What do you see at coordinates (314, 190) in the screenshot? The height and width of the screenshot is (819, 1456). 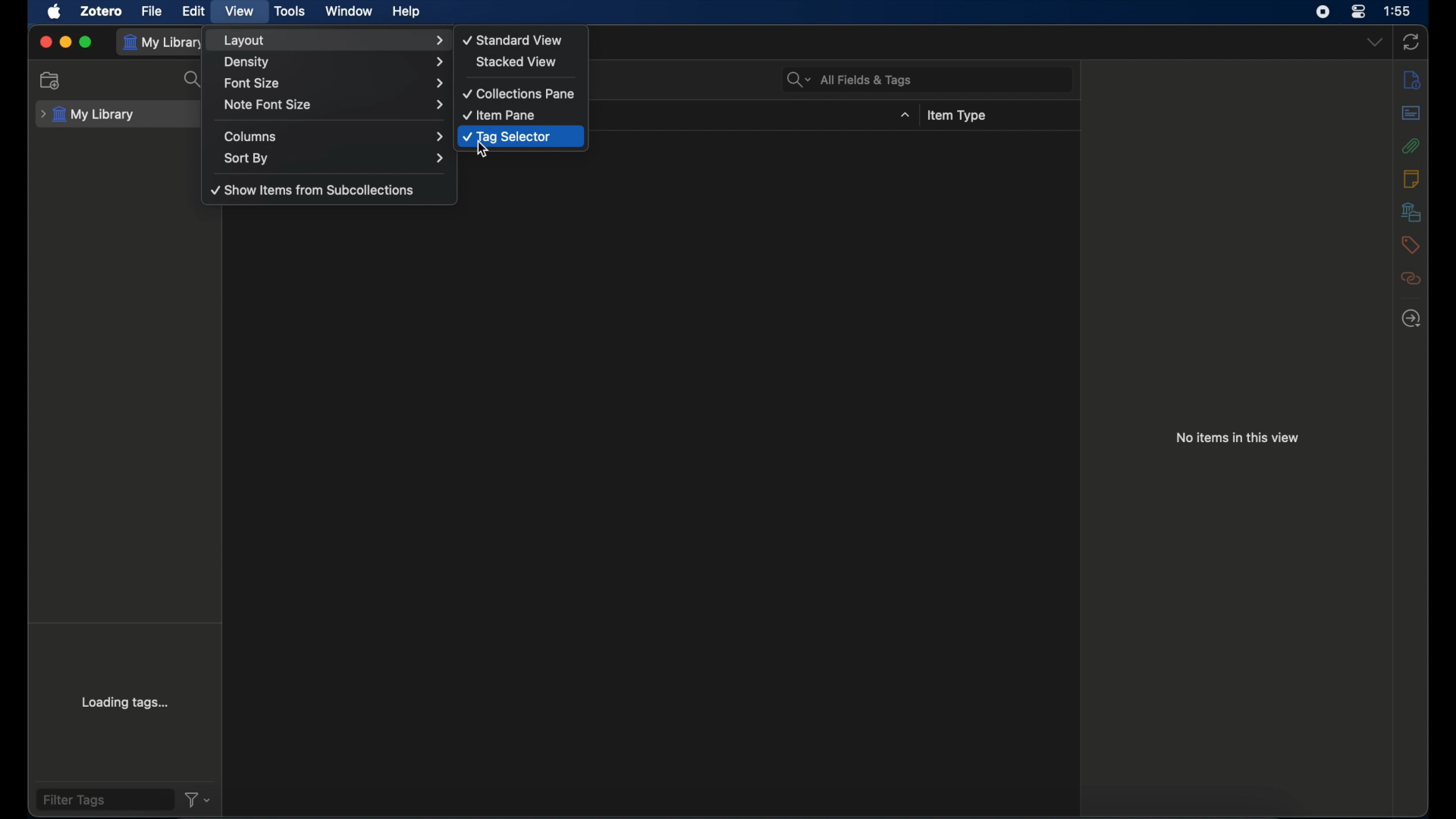 I see `show items from subcolelctions` at bounding box center [314, 190].